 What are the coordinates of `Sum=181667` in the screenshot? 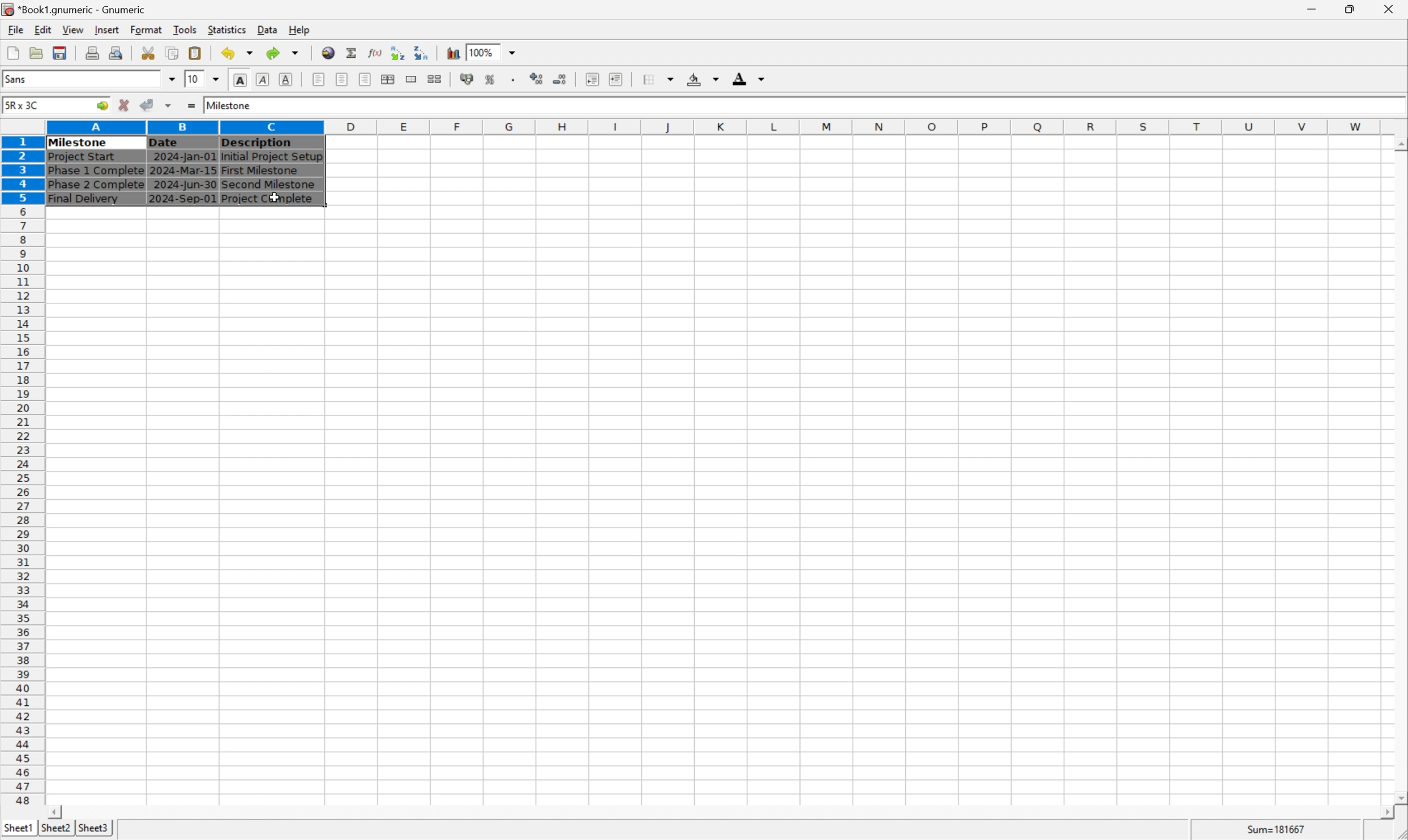 It's located at (1278, 828).